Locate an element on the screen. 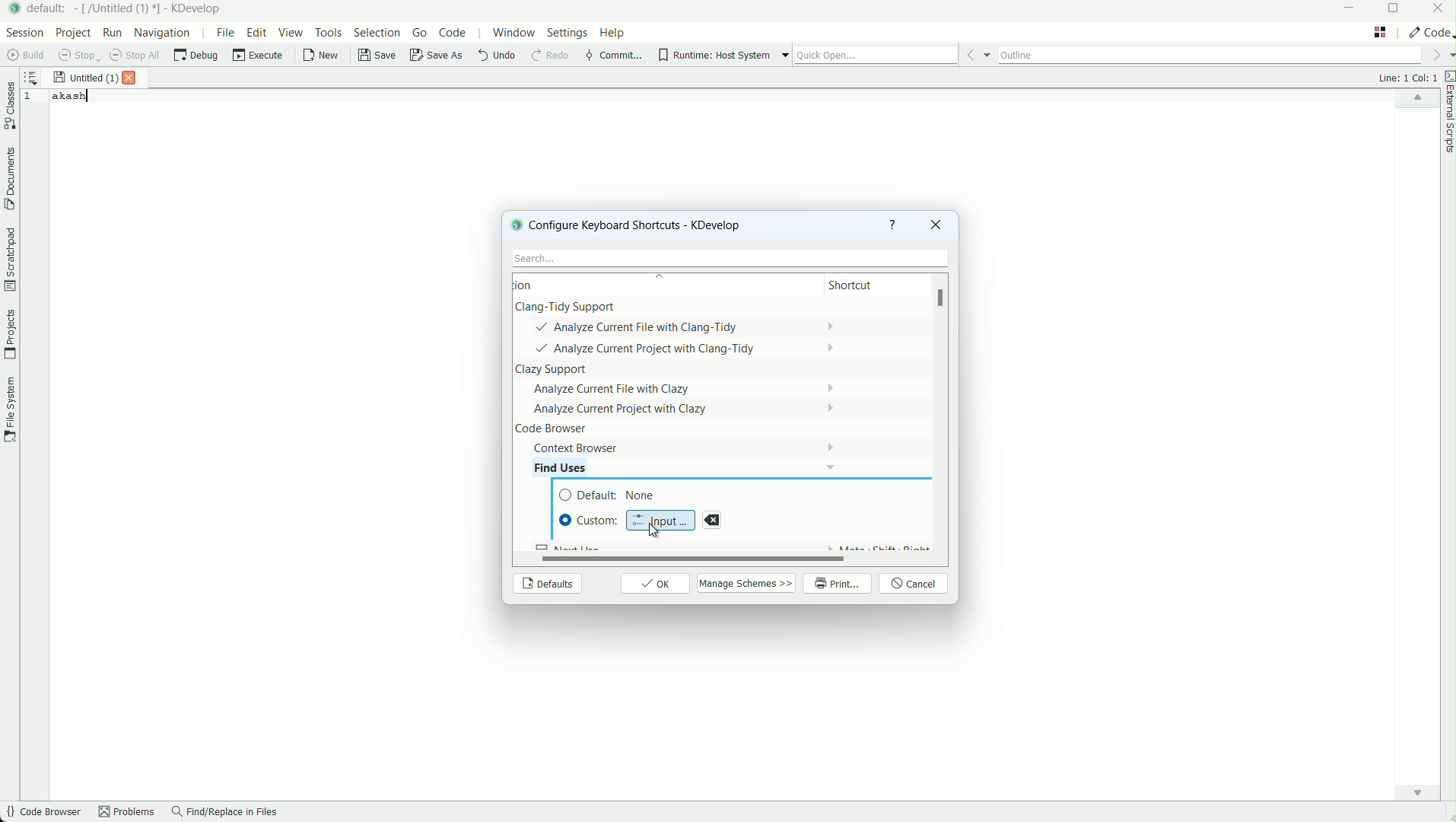 Image resolution: width=1456 pixels, height=822 pixels. file name is located at coordinates (85, 78).